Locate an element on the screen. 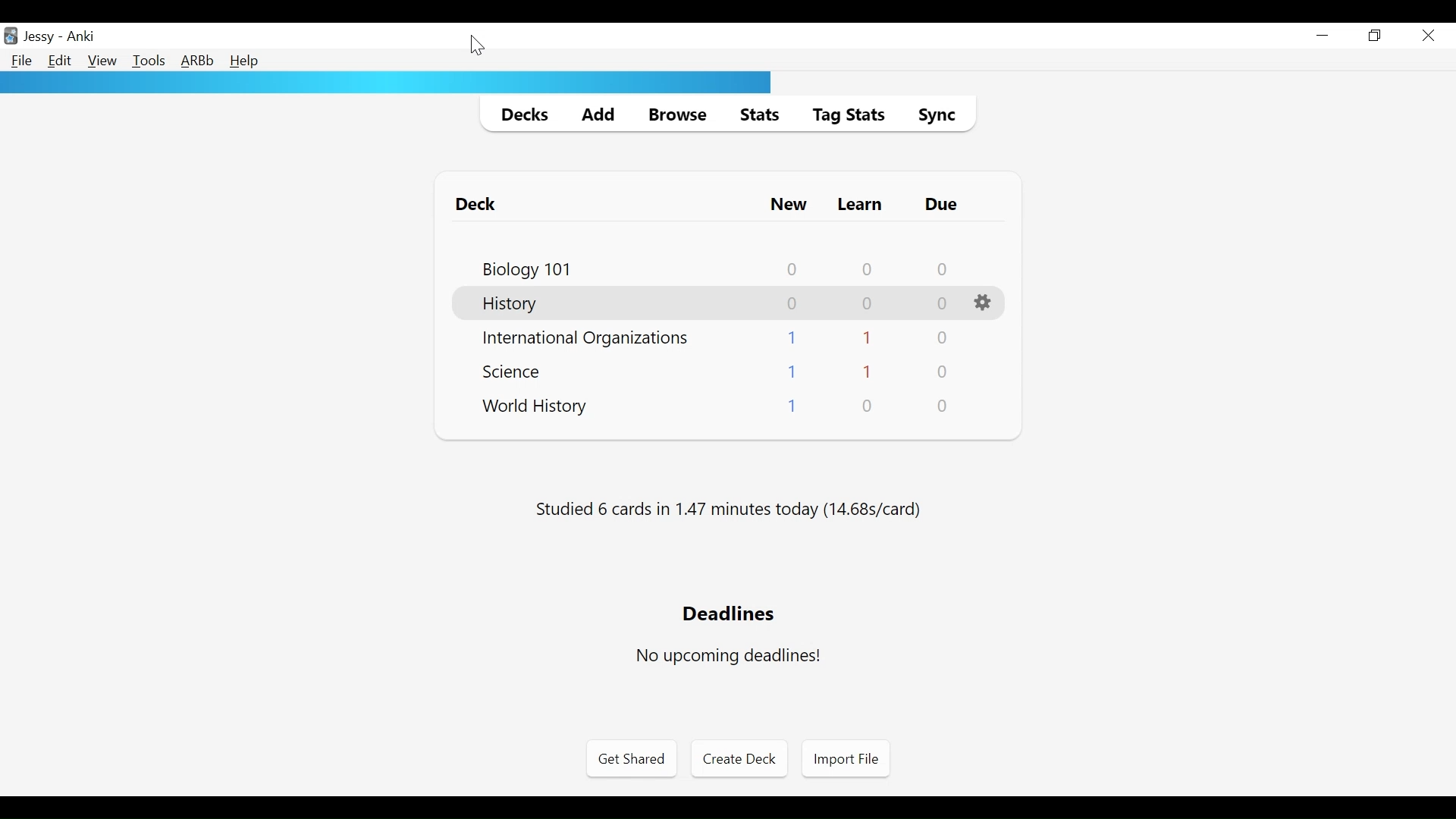 The image size is (1456, 819). Learn Card Count is located at coordinates (867, 371).